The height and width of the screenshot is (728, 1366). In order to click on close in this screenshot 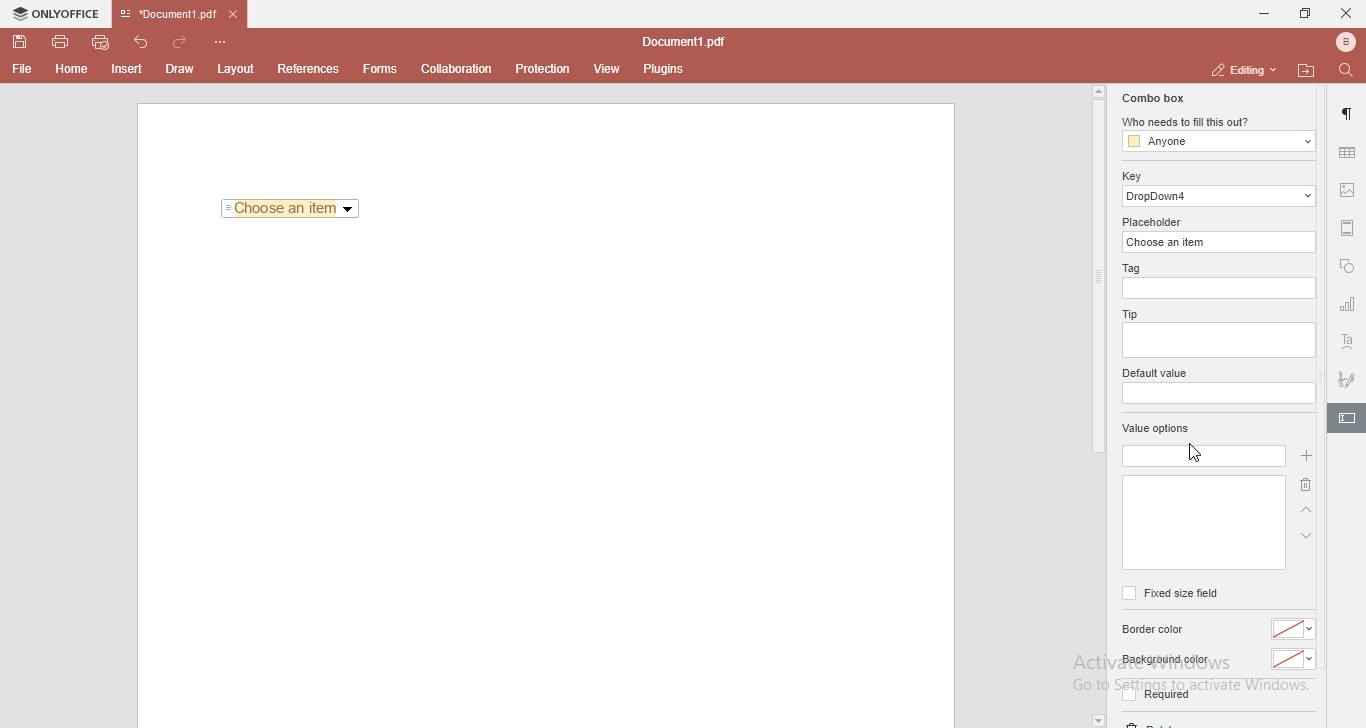, I will do `click(1346, 12)`.